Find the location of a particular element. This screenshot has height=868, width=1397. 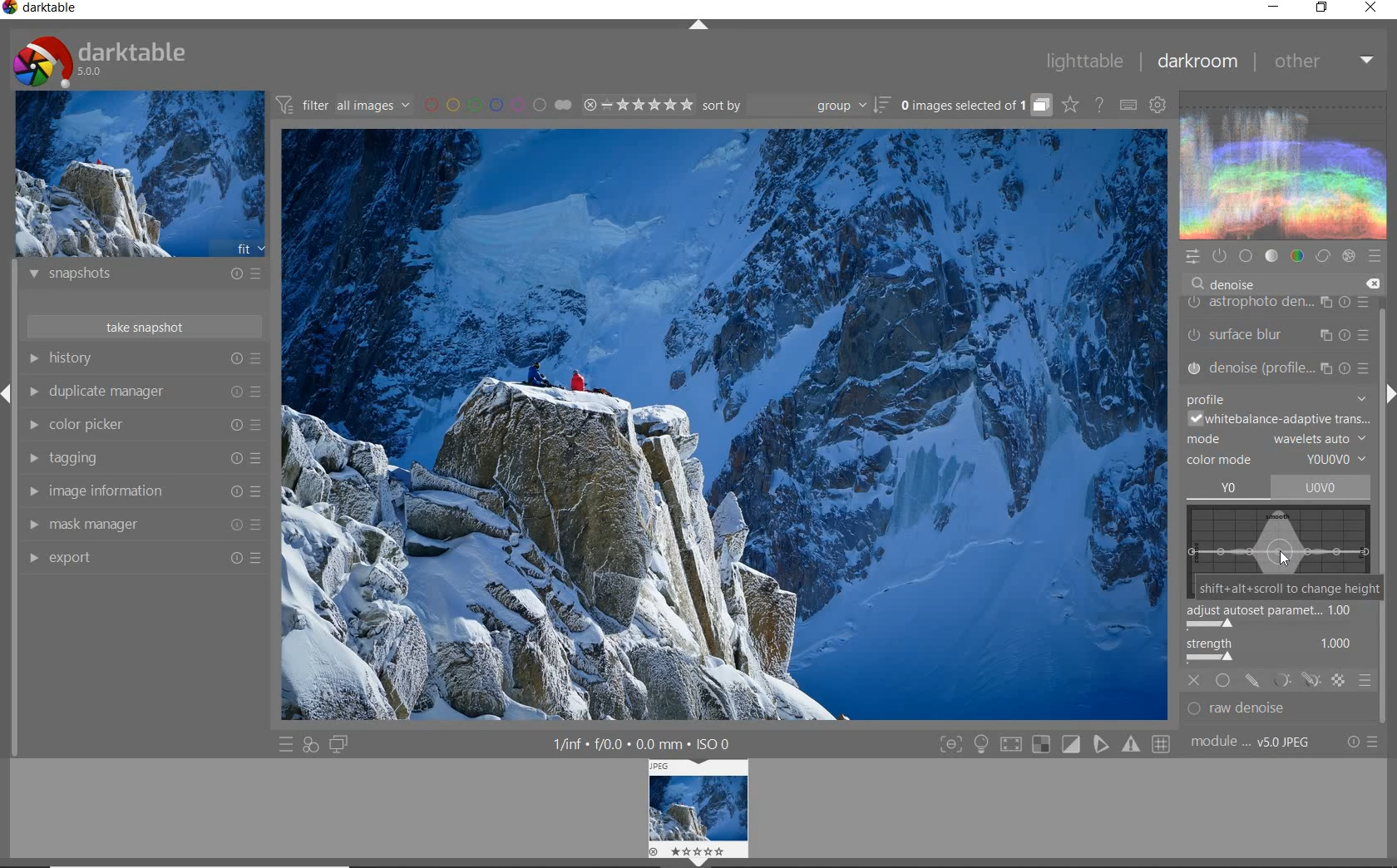

ADJUST AUTOSET PARAMETRIC is located at coordinates (1278, 619).